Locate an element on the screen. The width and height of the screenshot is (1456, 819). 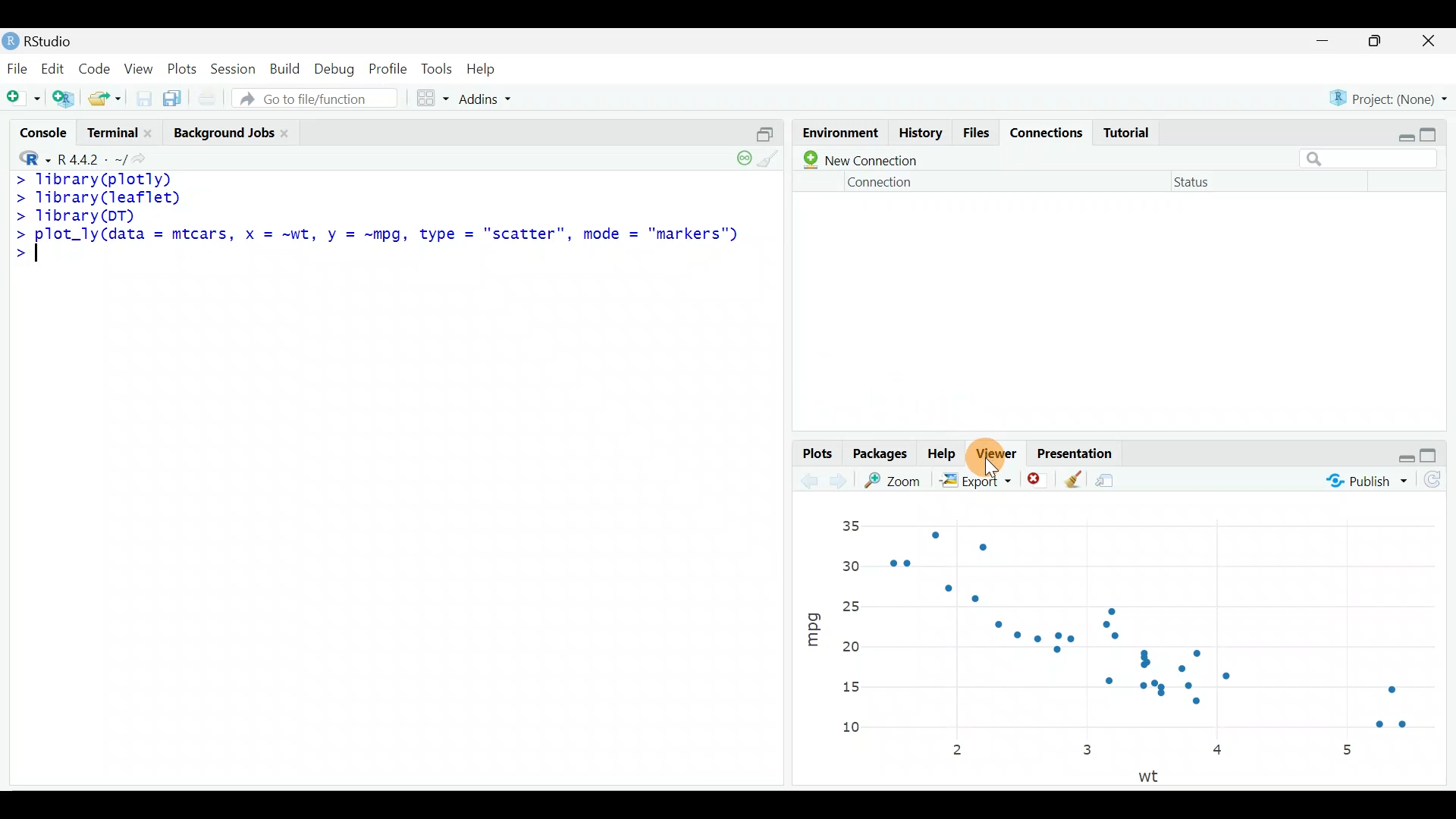
> library(leaflet) is located at coordinates (108, 196).